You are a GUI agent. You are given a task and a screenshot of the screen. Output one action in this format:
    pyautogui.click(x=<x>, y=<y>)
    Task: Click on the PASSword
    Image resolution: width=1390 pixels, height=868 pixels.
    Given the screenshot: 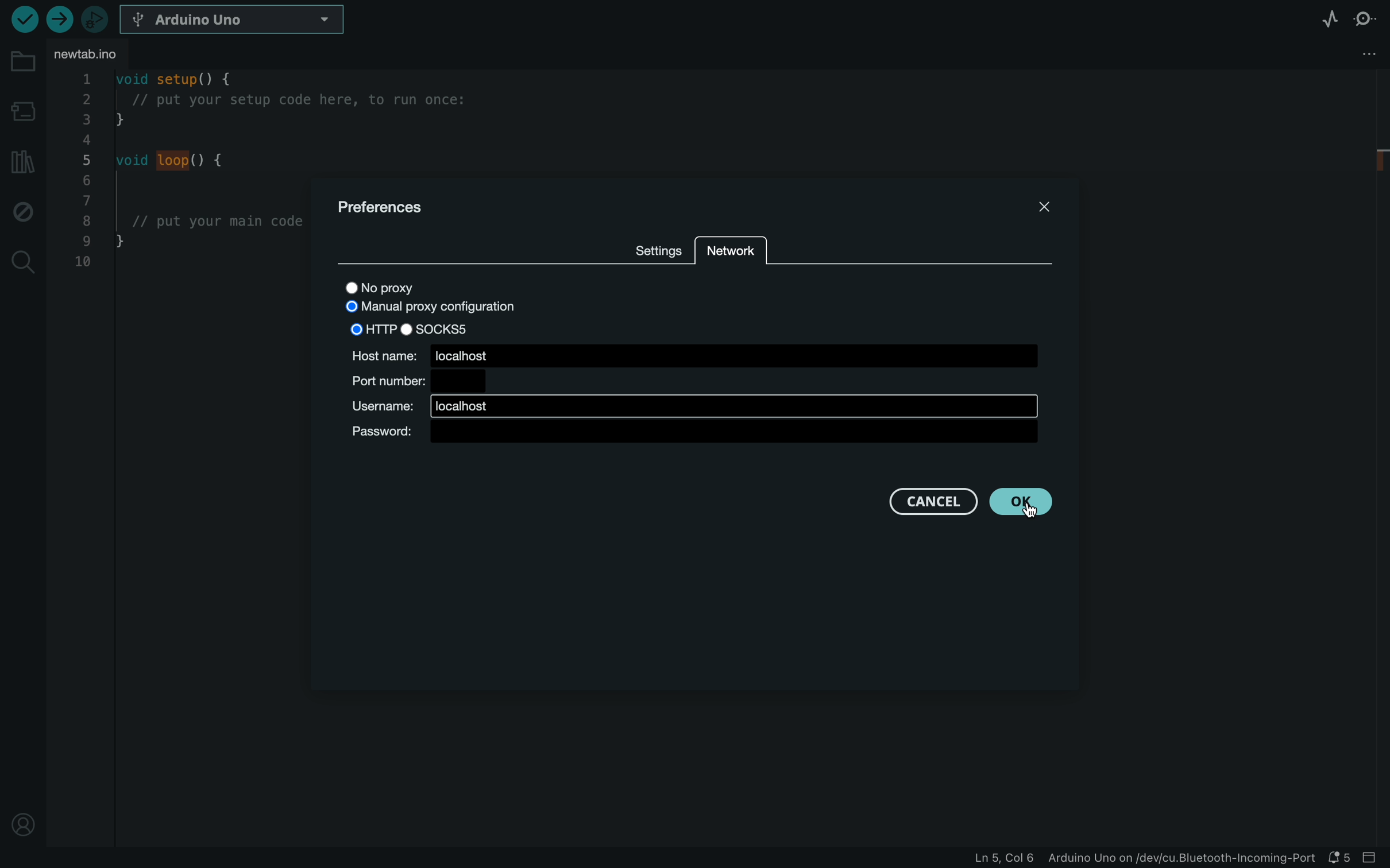 What is the action you would take?
    pyautogui.click(x=693, y=433)
    